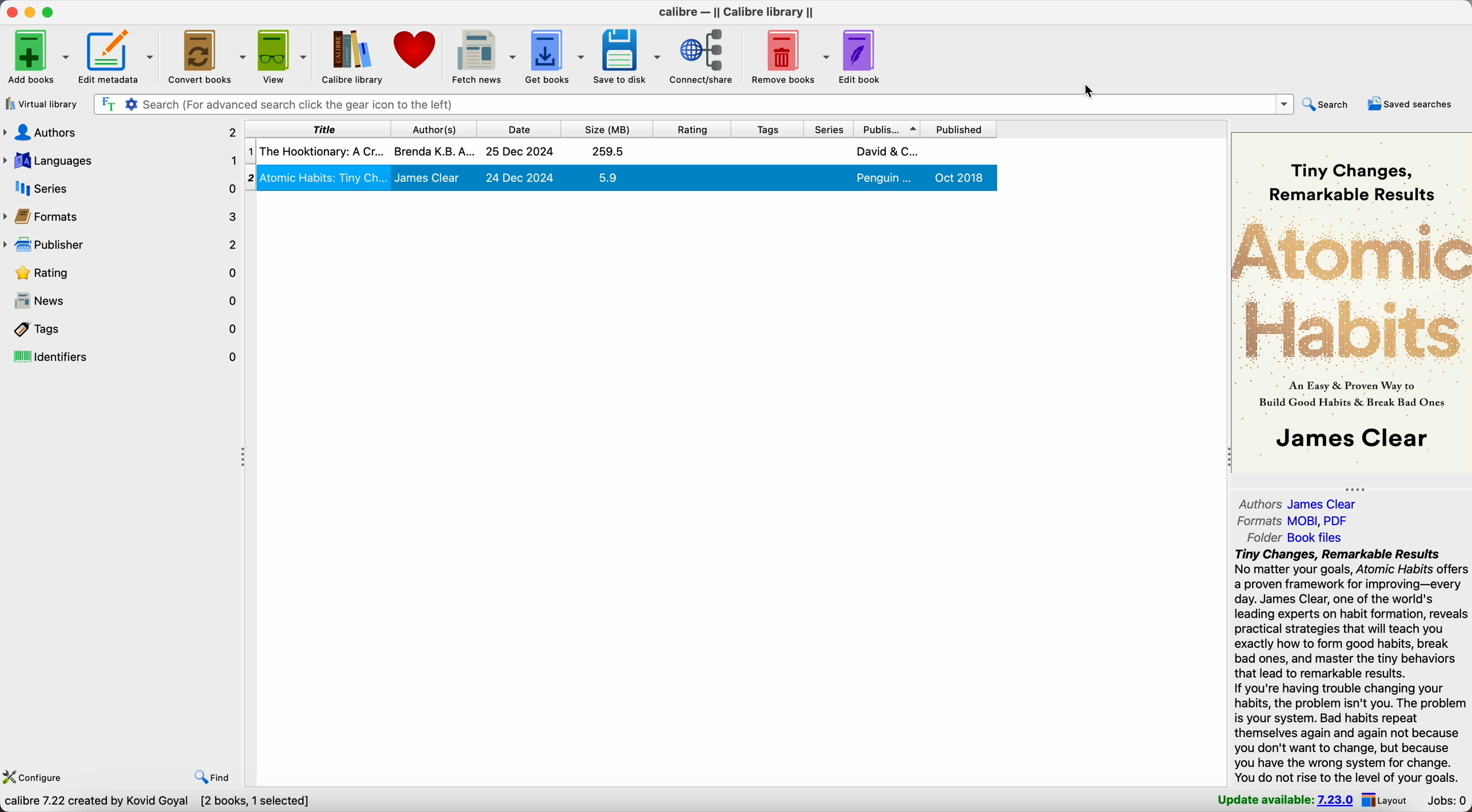 The image size is (1472, 812). Describe the element at coordinates (557, 56) in the screenshot. I see `get books` at that location.